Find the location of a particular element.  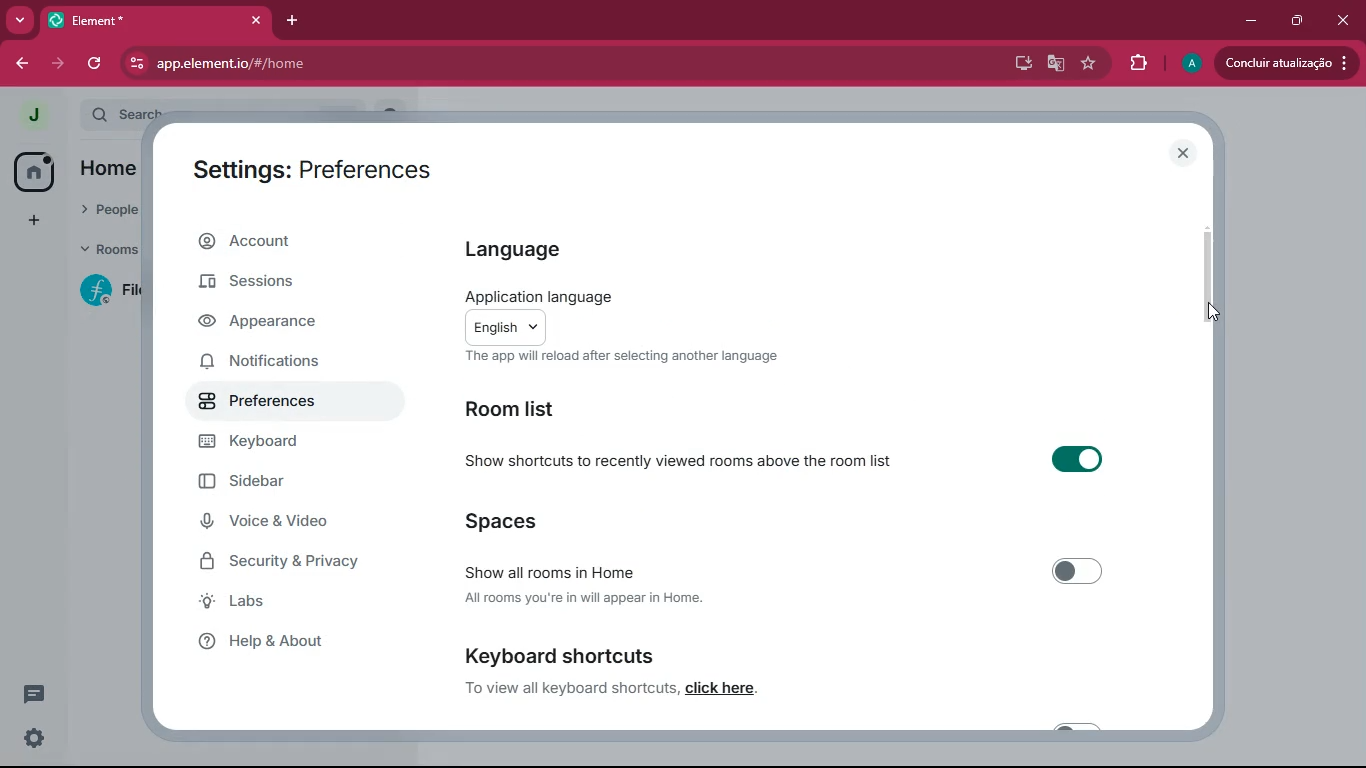

All rooms you're in will appear in Home. is located at coordinates (595, 598).